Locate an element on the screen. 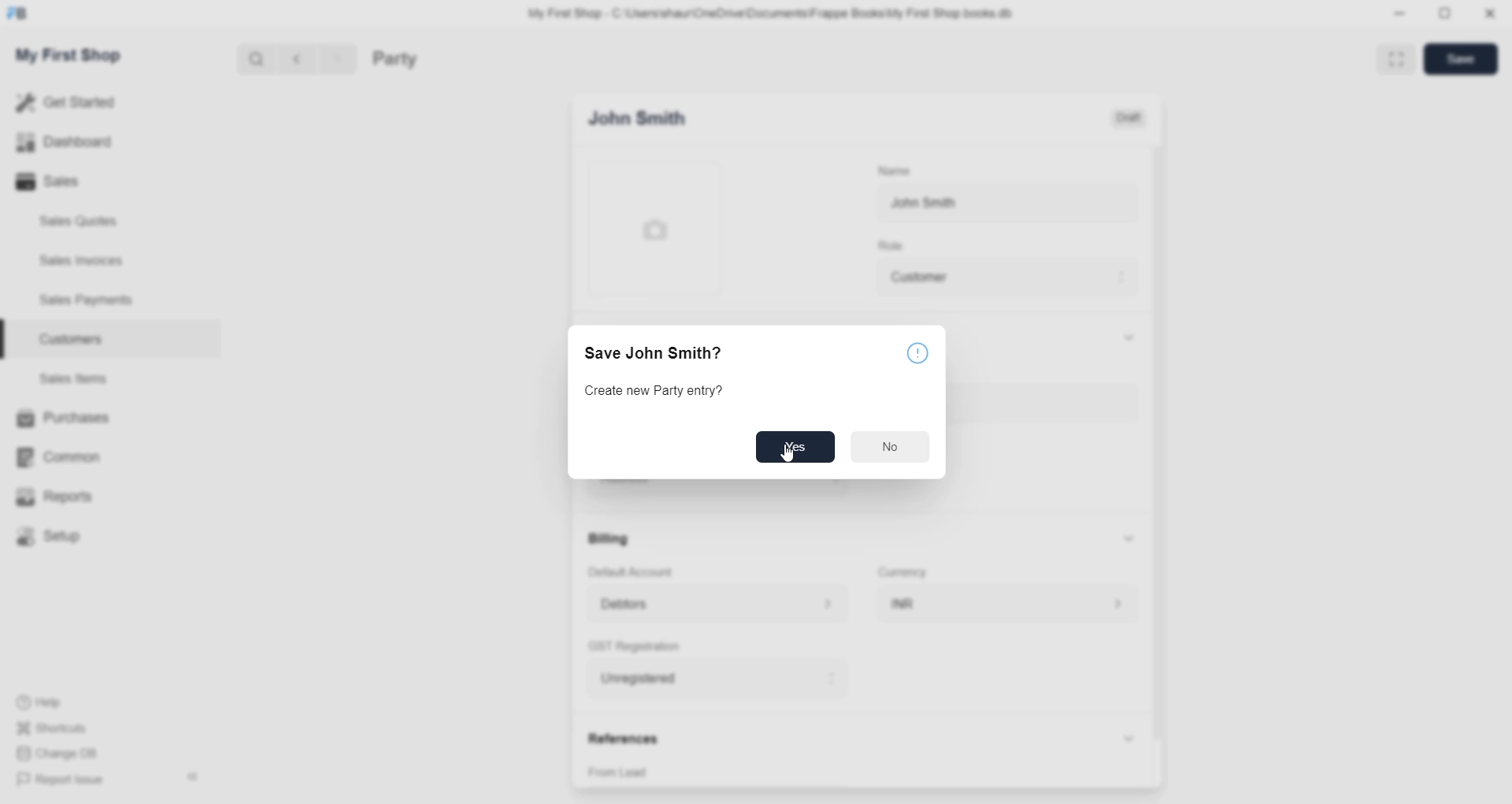  hide references is located at coordinates (1130, 737).